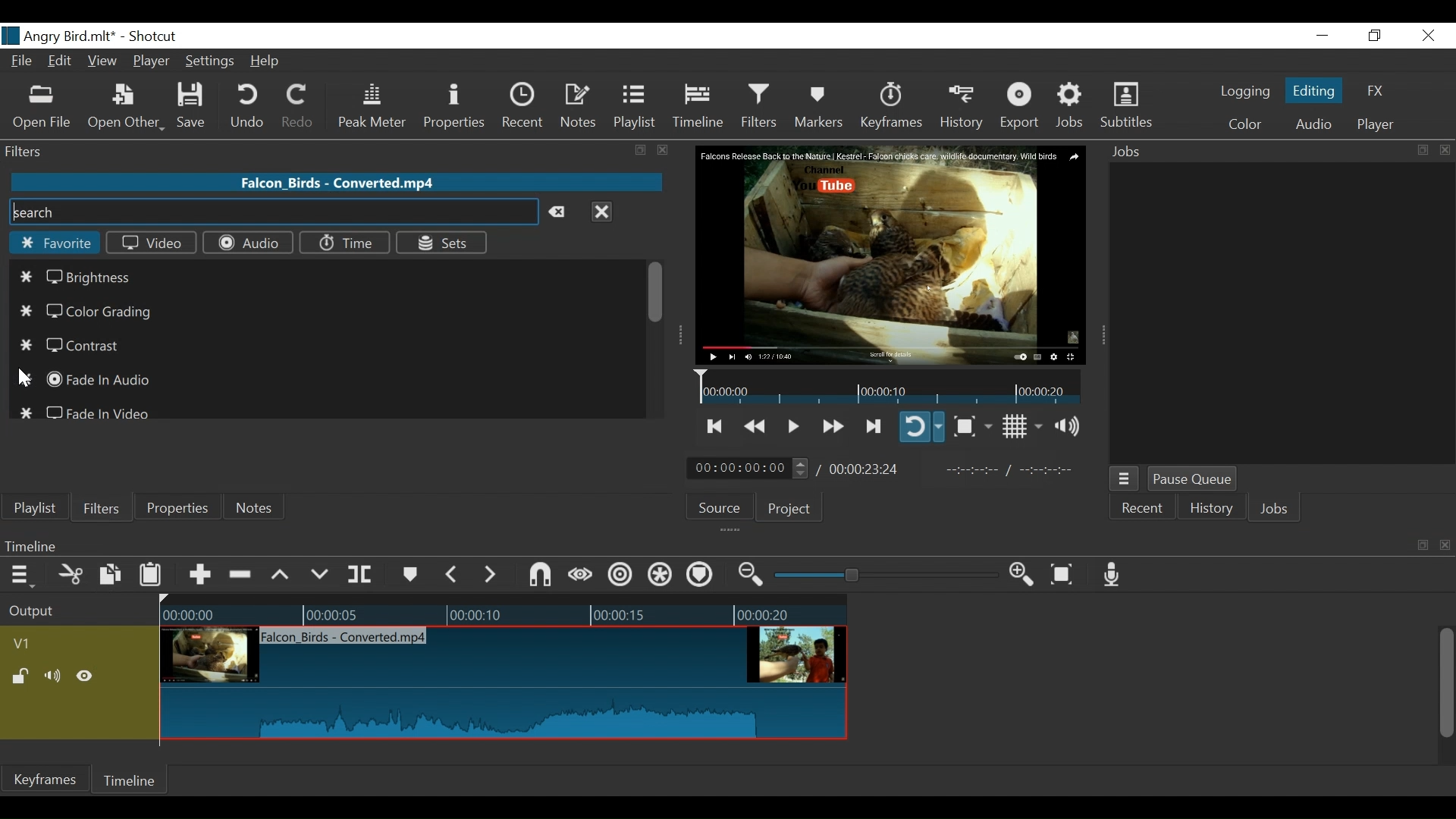  I want to click on History, so click(962, 107).